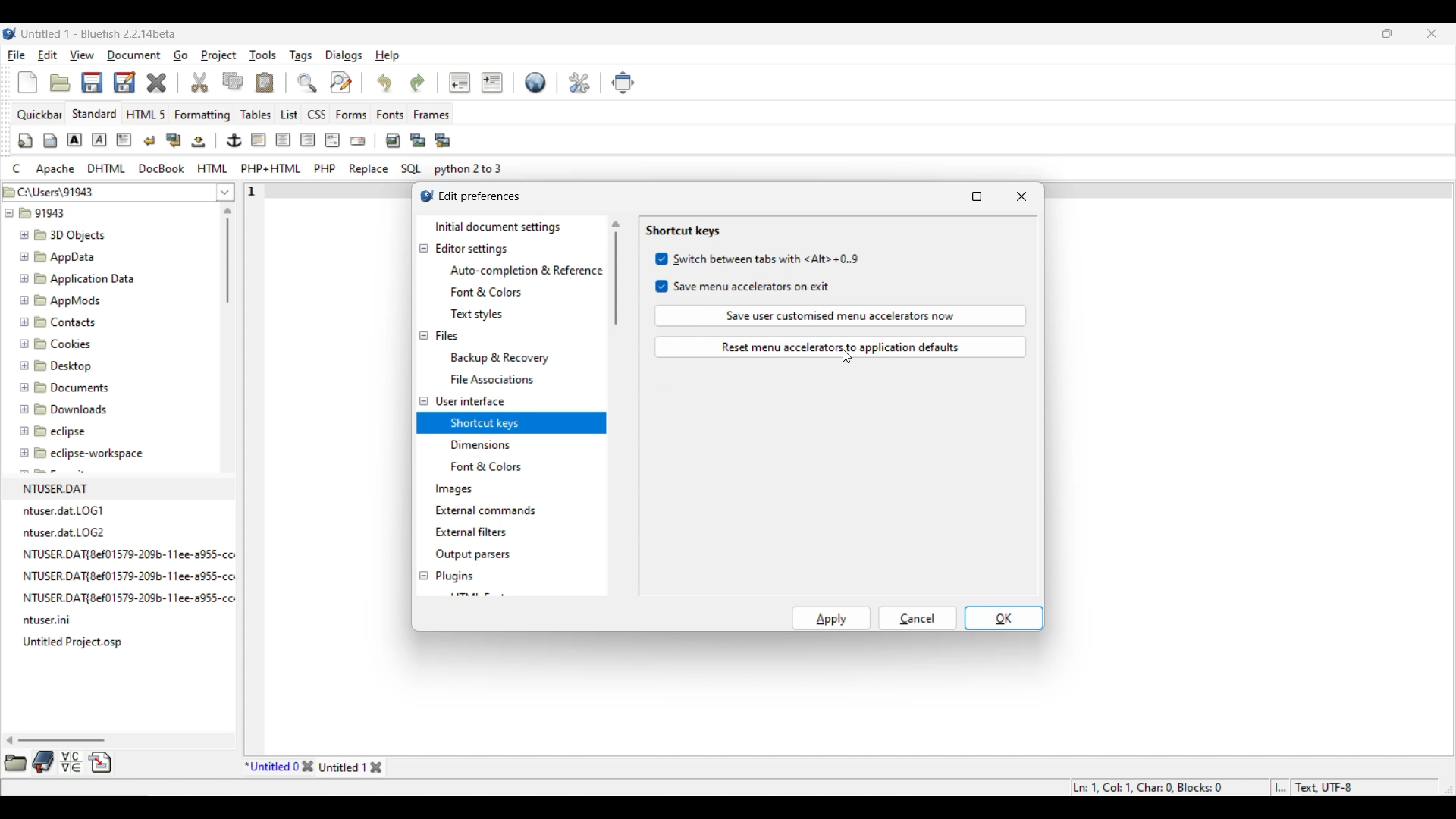 The image size is (1456, 819). I want to click on NTUSER.DAT{8ef01579-209b-11ee-a955-ccs, so click(140, 598).